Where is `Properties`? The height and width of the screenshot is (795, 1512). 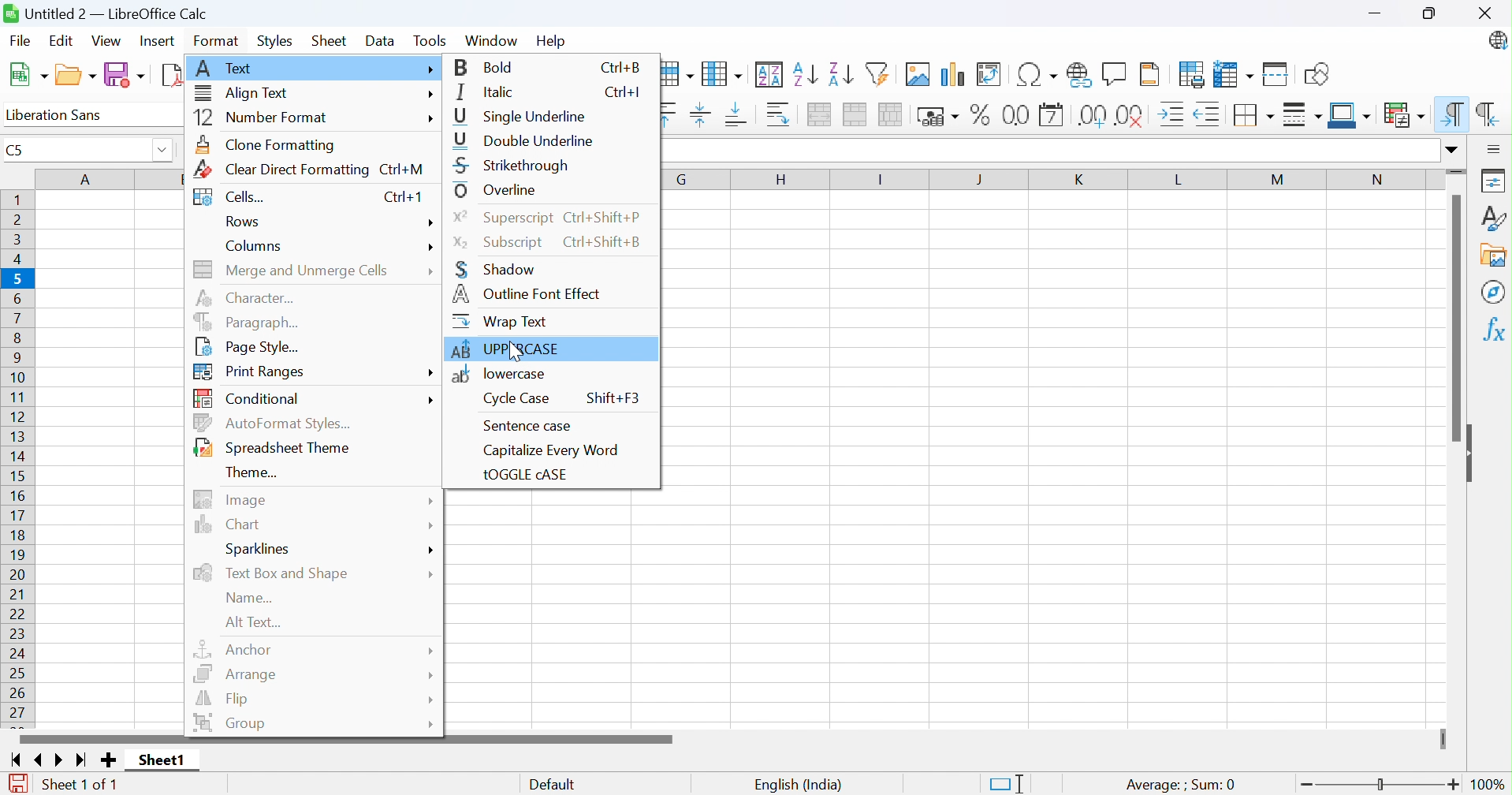
Properties is located at coordinates (1495, 181).